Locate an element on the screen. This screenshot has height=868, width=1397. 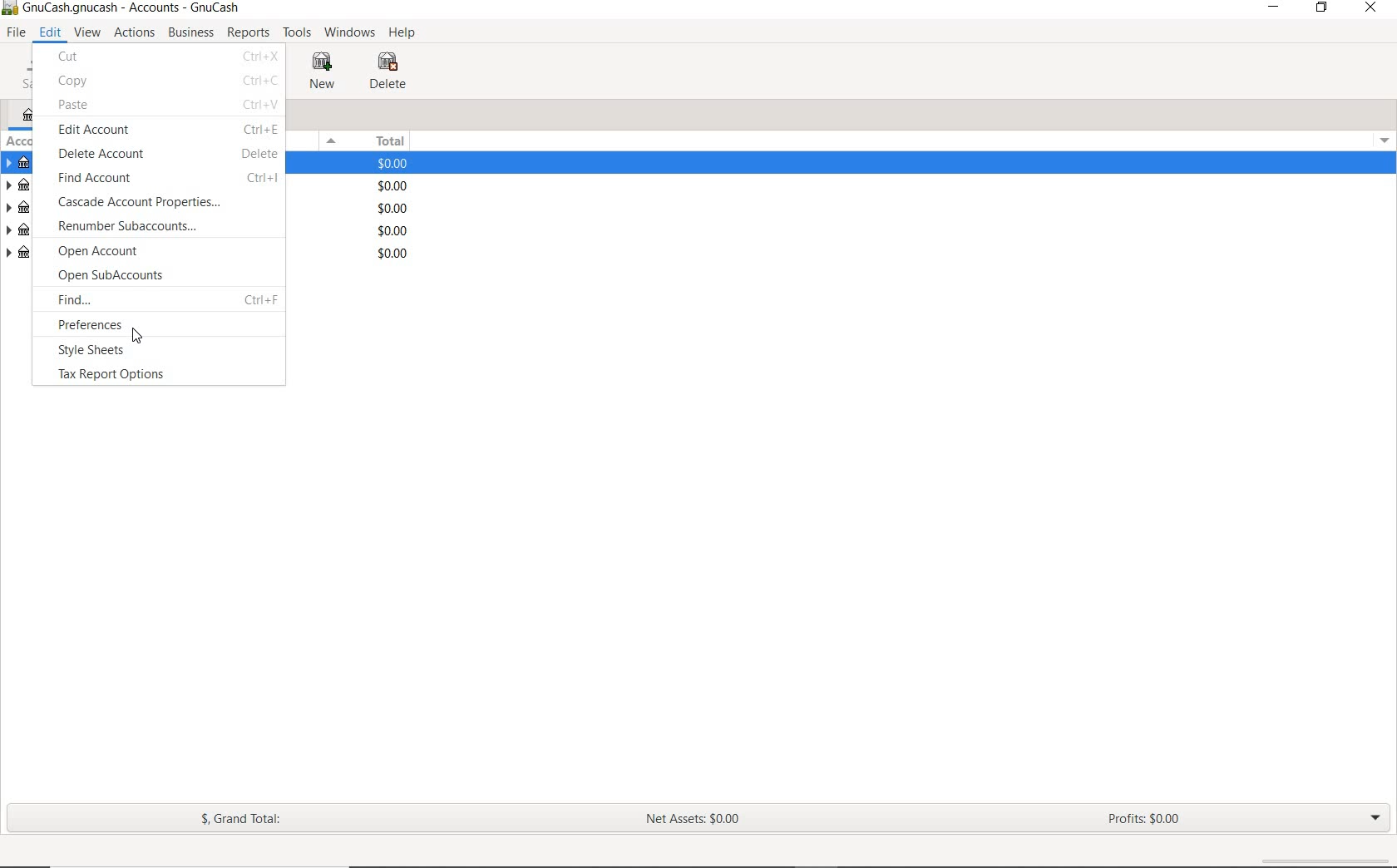
LIABILITIES is located at coordinates (356, 186).